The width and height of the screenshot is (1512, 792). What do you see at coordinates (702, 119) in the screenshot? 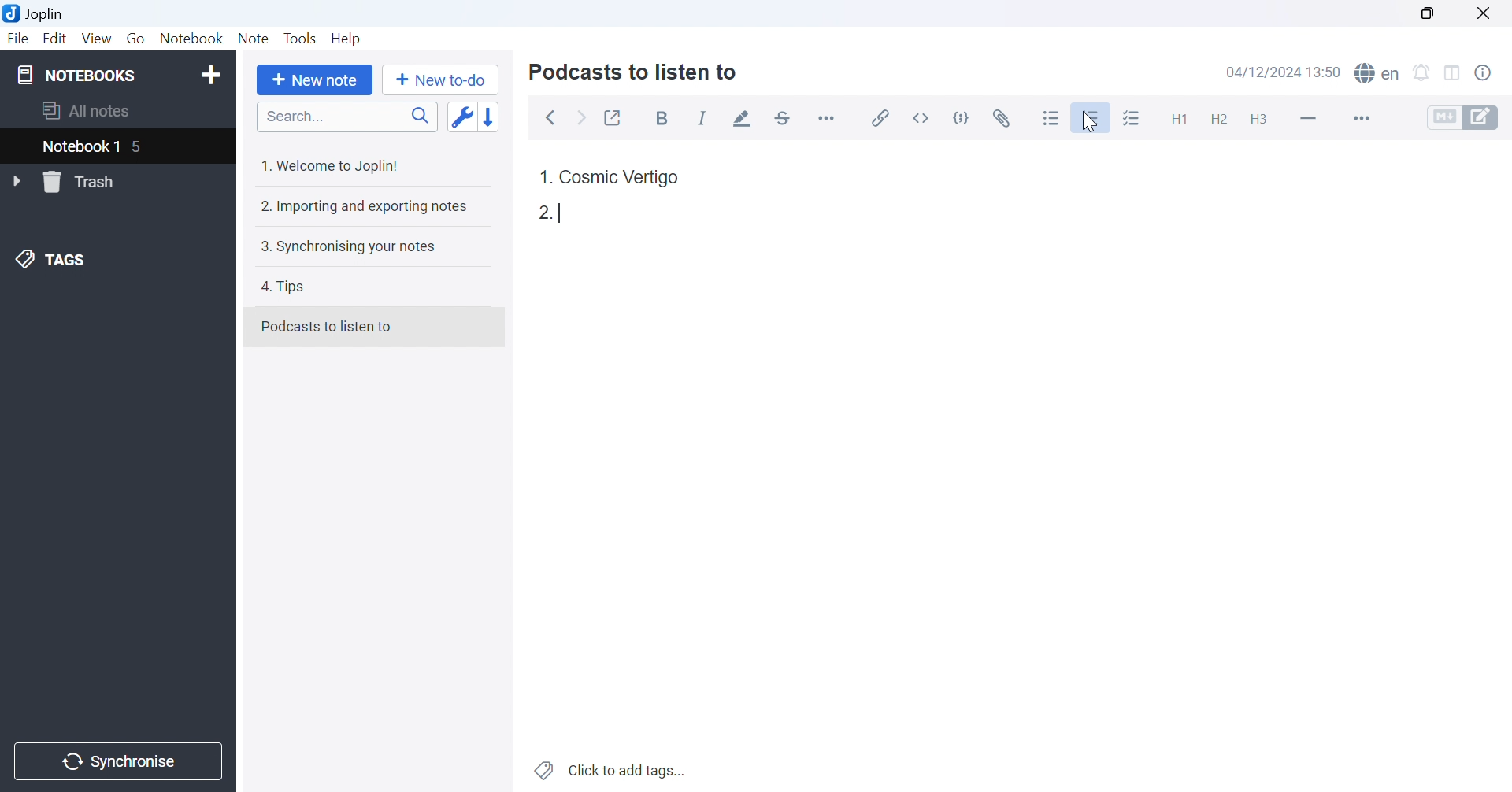
I see `Italic` at bounding box center [702, 119].